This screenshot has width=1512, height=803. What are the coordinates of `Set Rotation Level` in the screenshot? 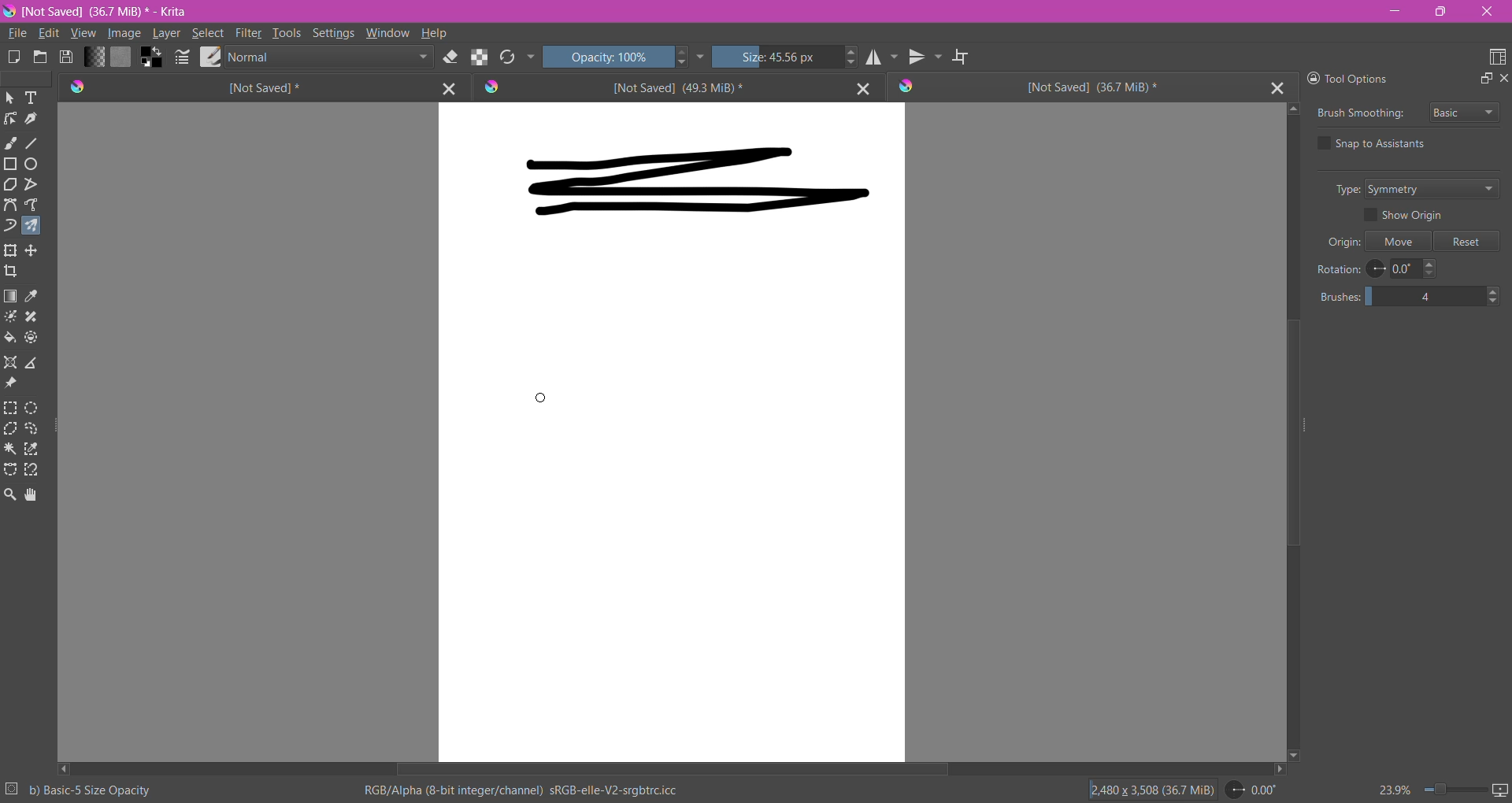 It's located at (1405, 269).